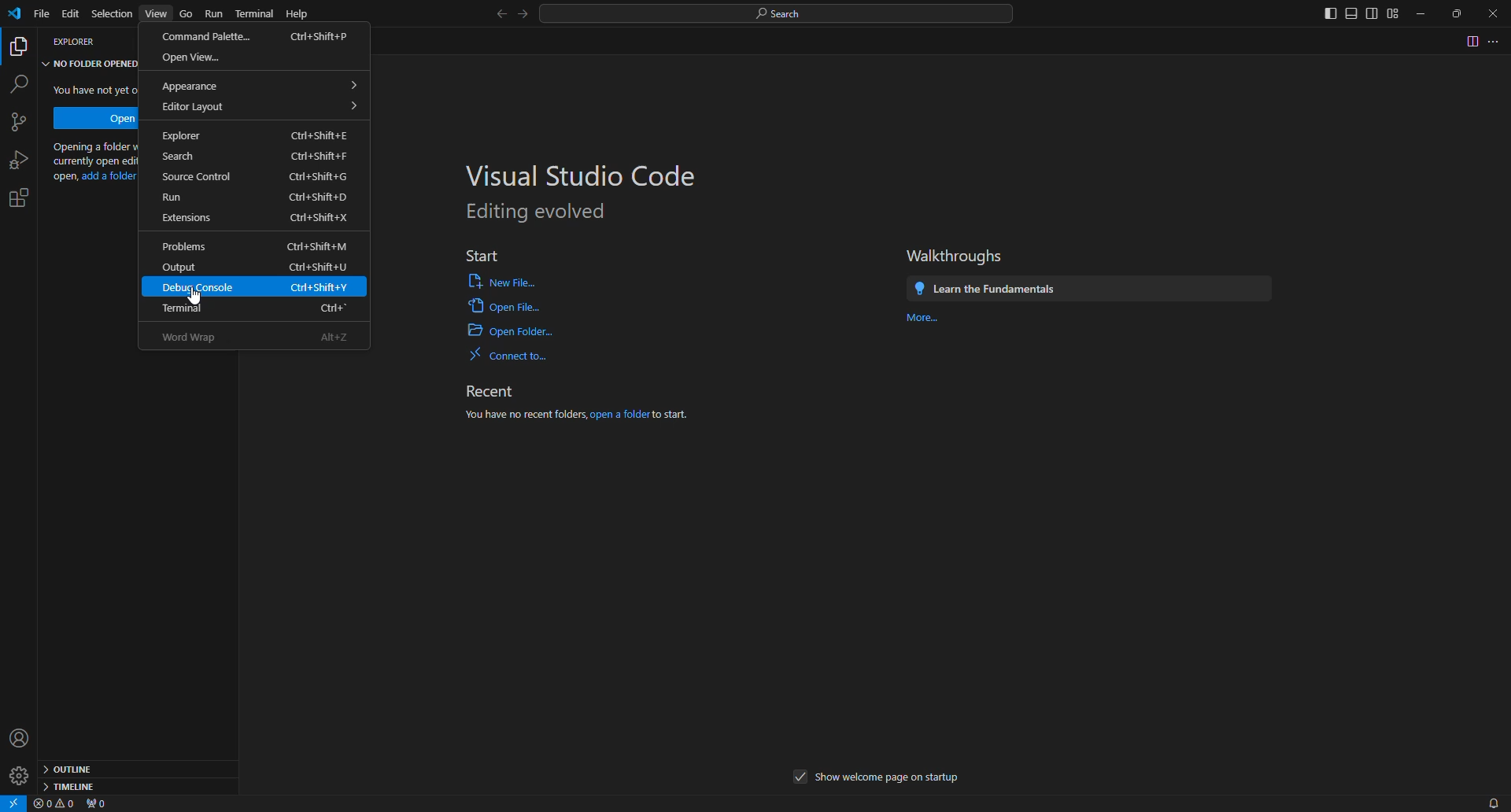 Image resolution: width=1511 pixels, height=812 pixels. I want to click on Source Control, so click(257, 173).